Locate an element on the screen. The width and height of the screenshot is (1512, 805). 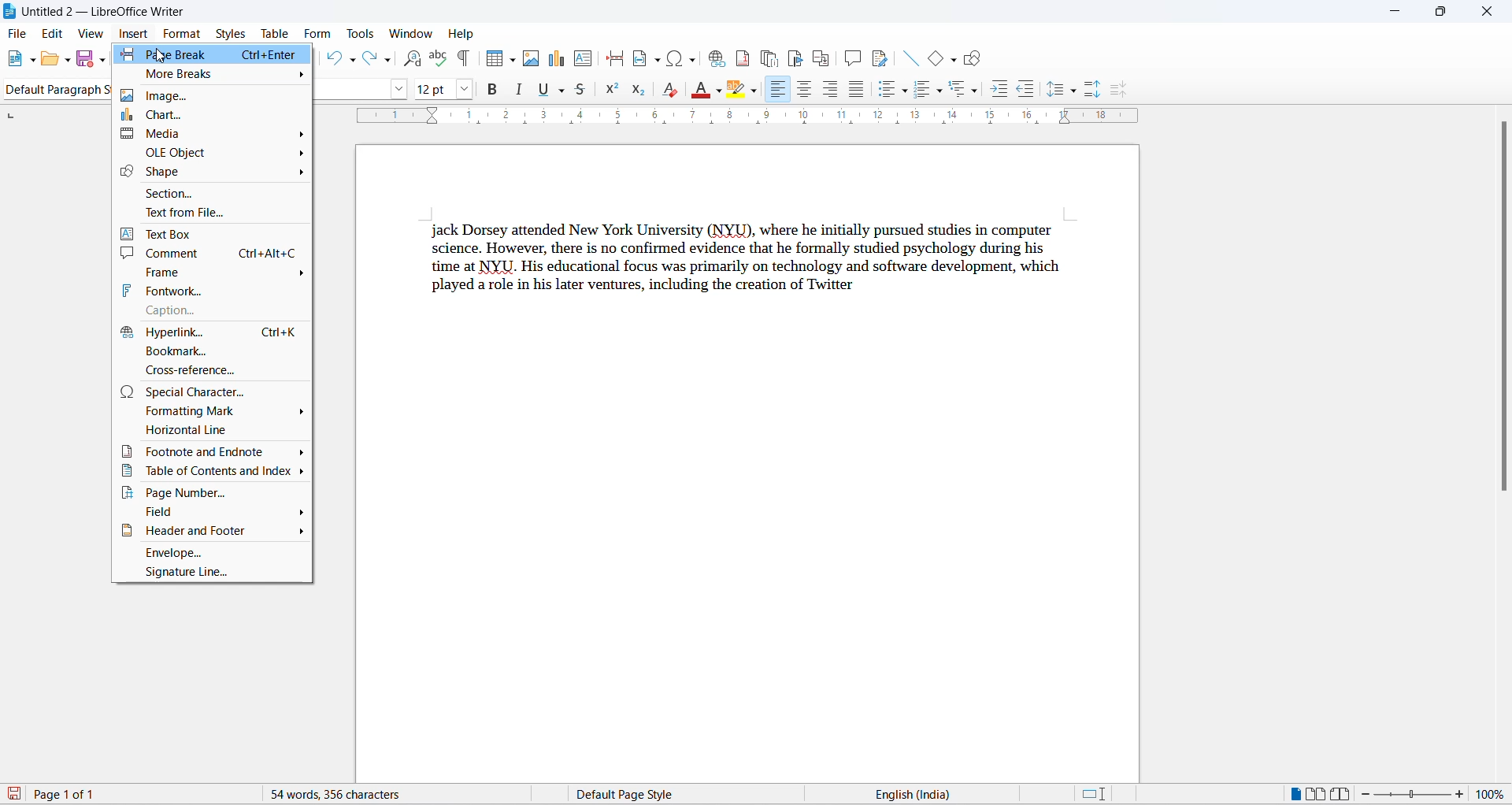
underline is located at coordinates (542, 89).